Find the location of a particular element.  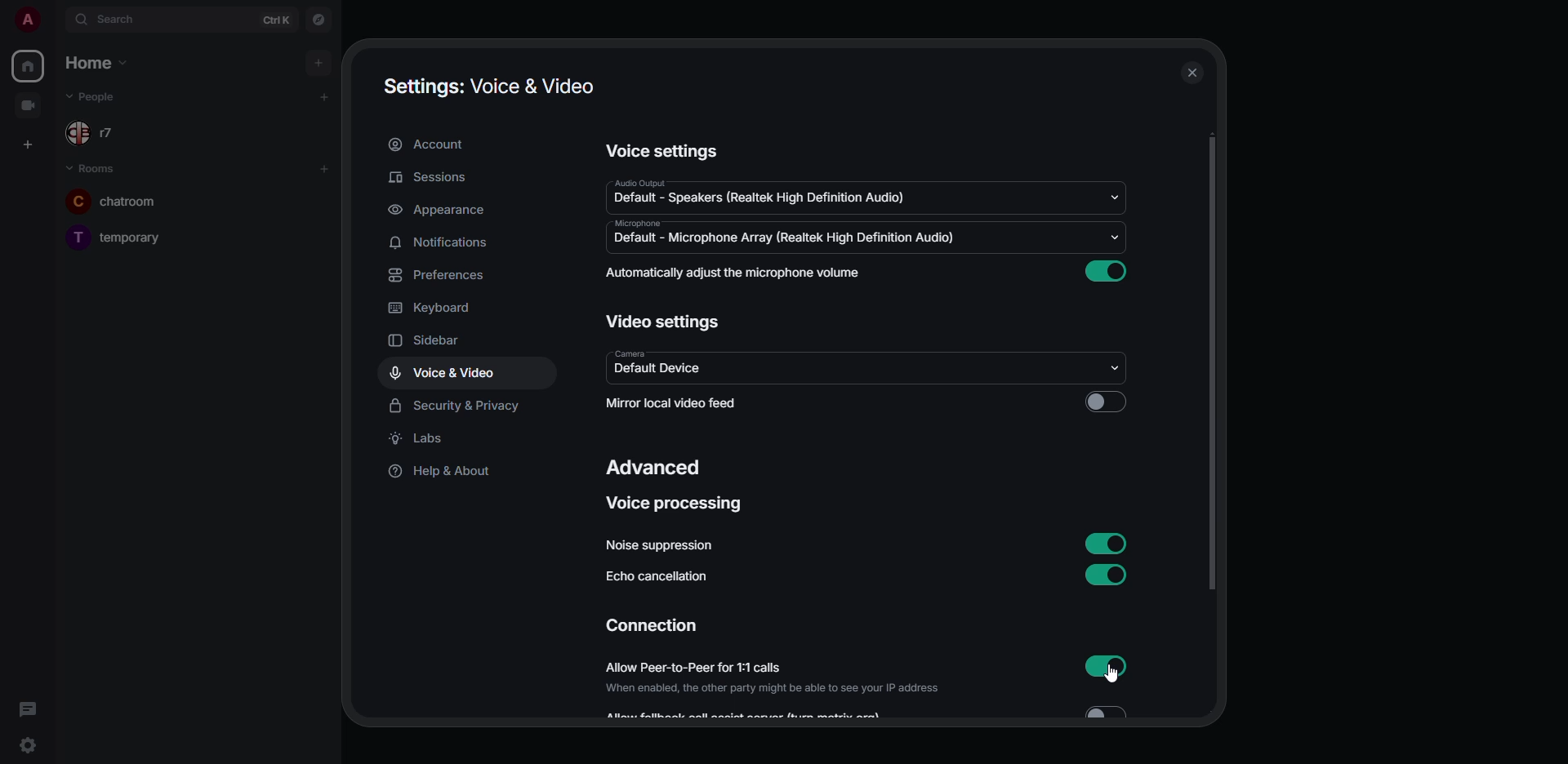

threads is located at coordinates (26, 708).